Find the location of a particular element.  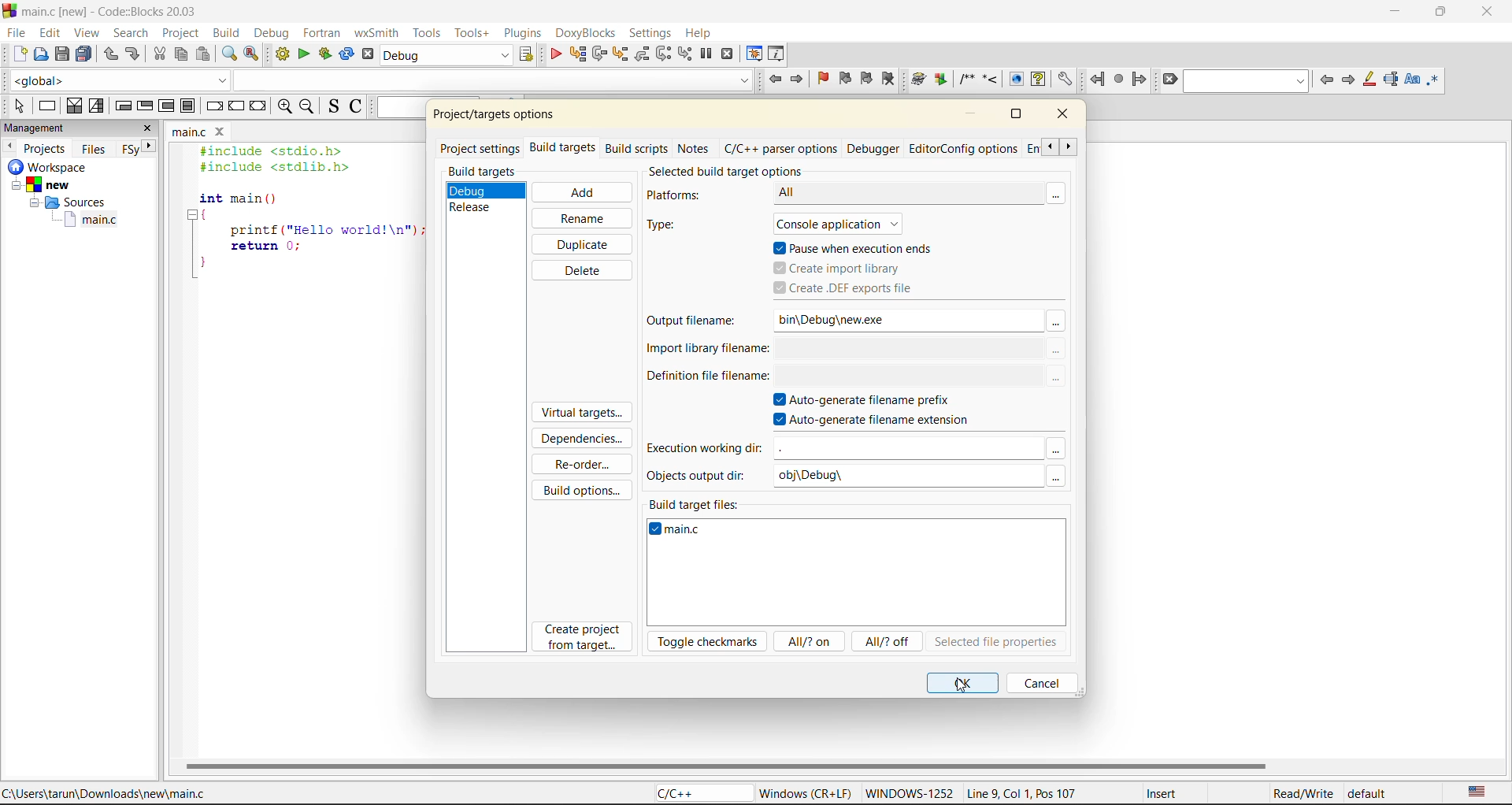

More is located at coordinates (1058, 379).